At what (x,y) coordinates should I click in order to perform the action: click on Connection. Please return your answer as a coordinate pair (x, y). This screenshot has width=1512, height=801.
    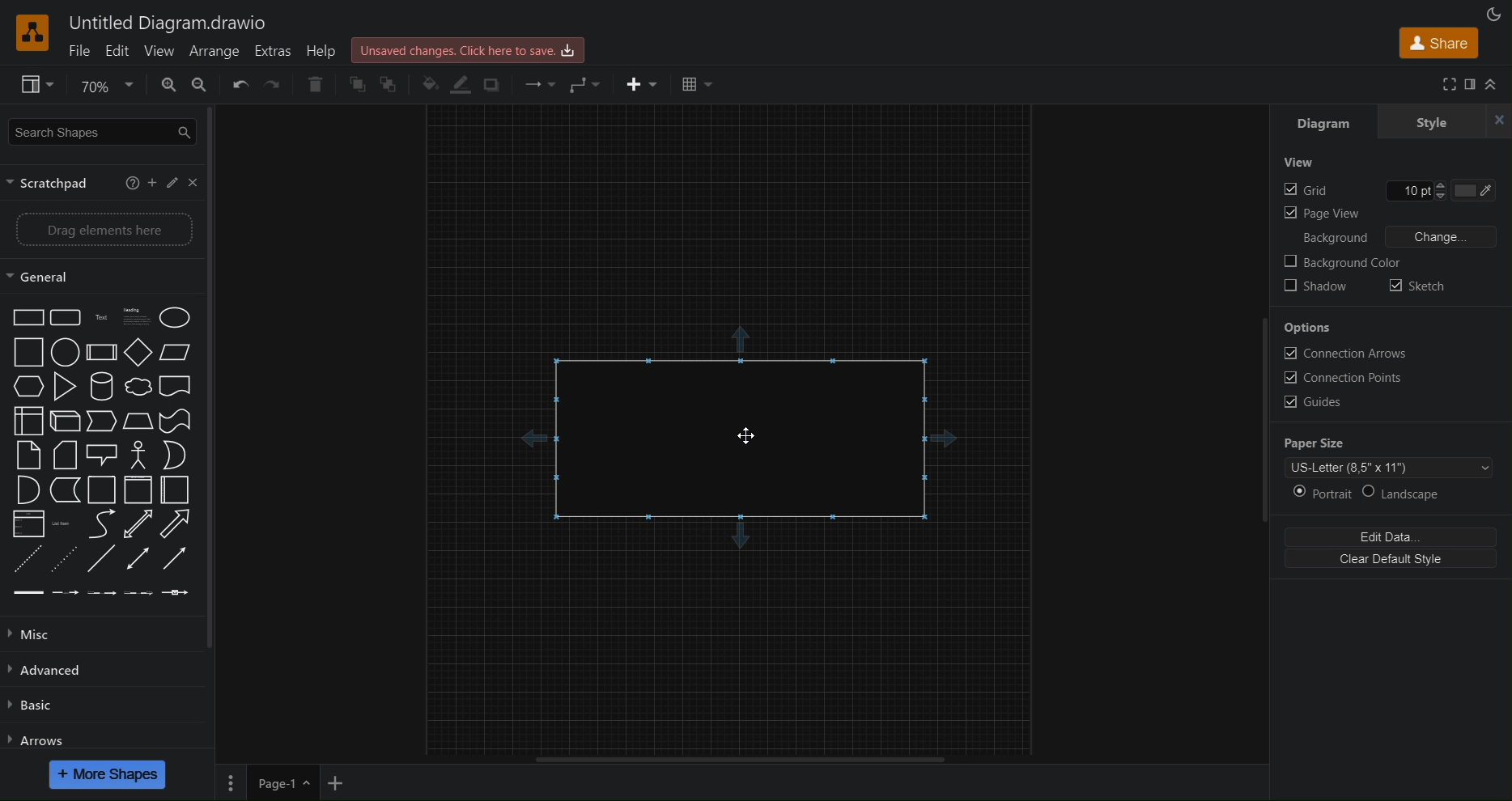
    Looking at the image, I should click on (535, 83).